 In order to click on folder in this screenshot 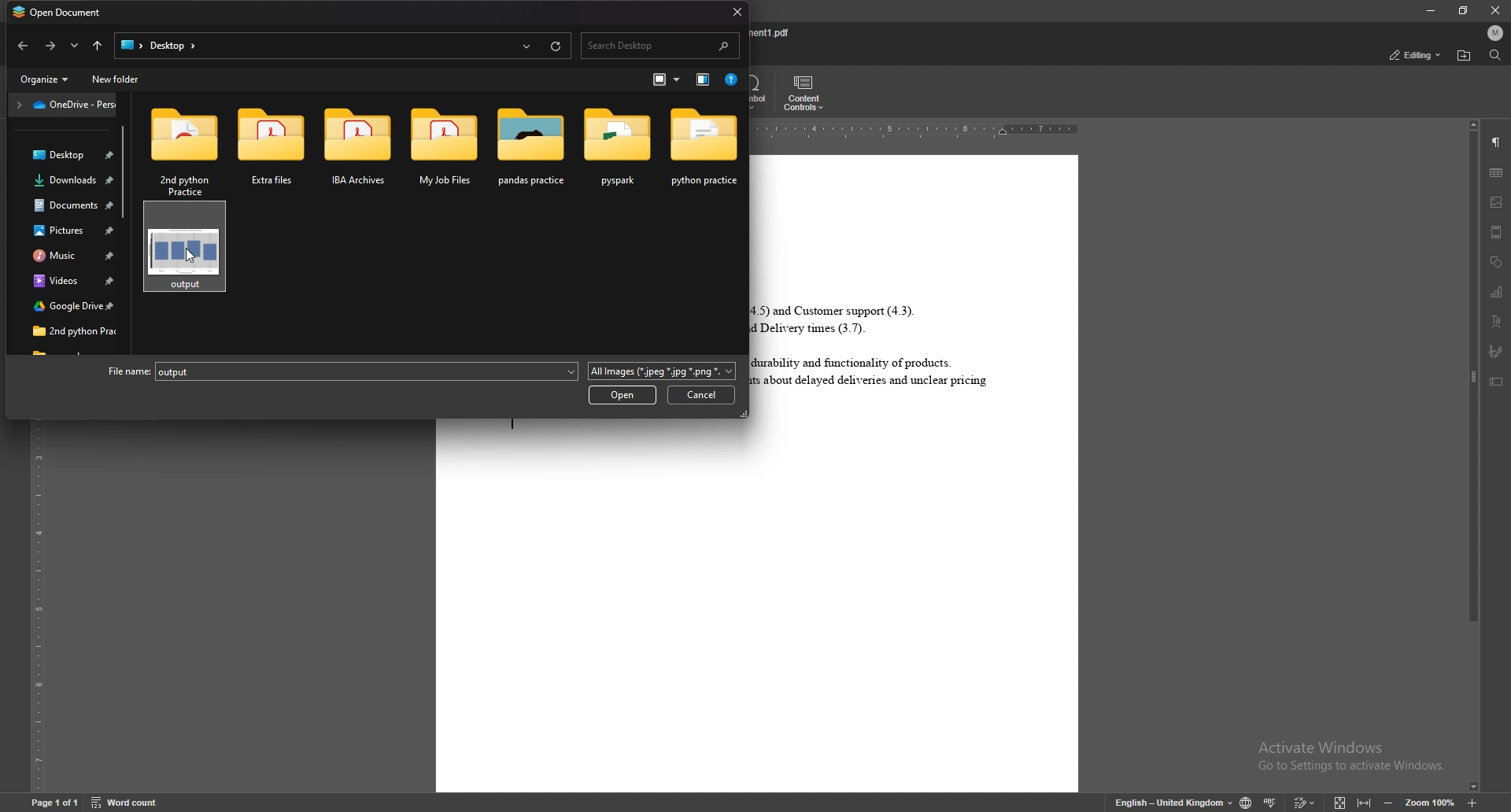, I will do `click(64, 256)`.